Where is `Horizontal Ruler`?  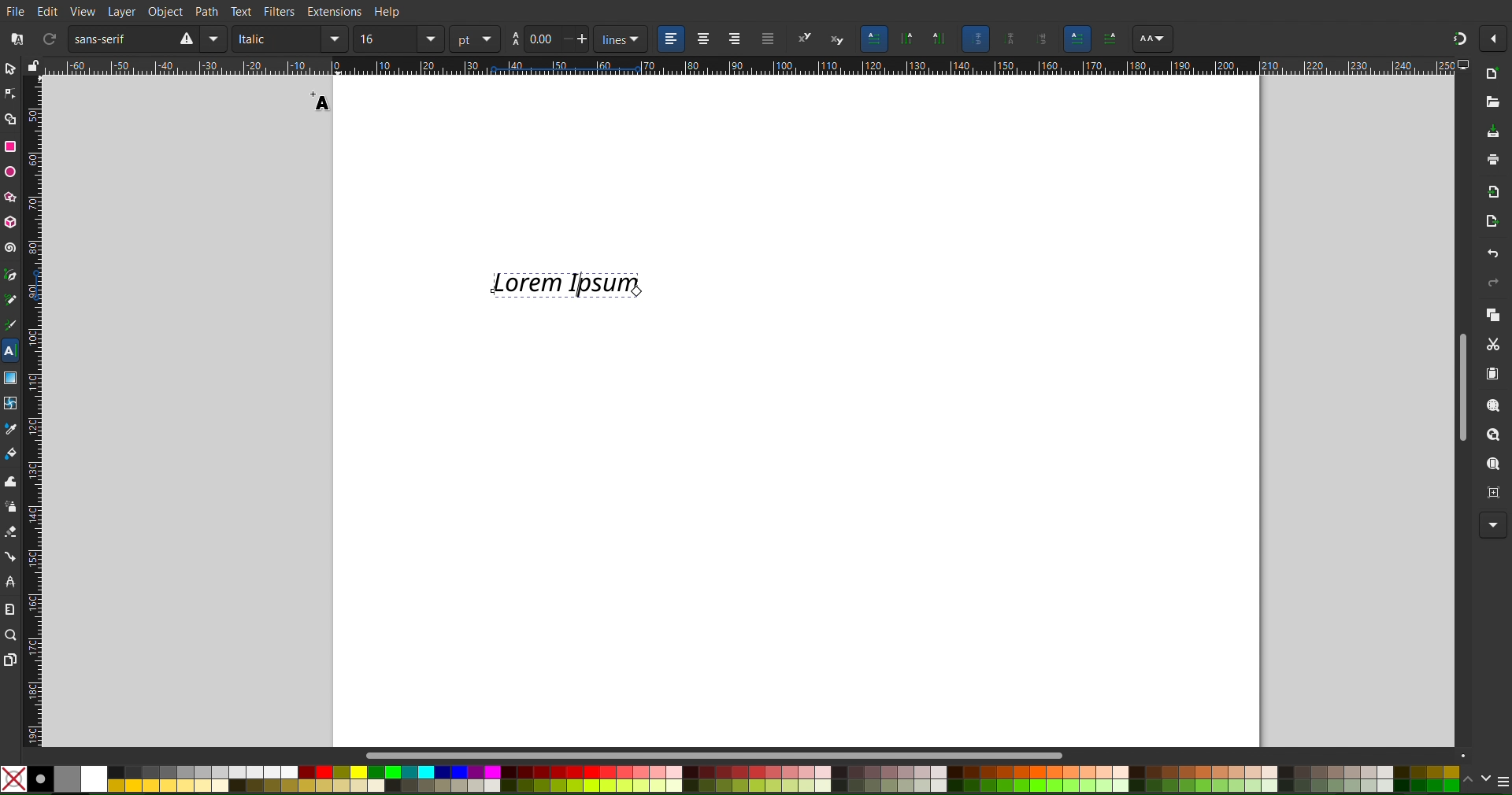
Horizontal Ruler is located at coordinates (758, 67).